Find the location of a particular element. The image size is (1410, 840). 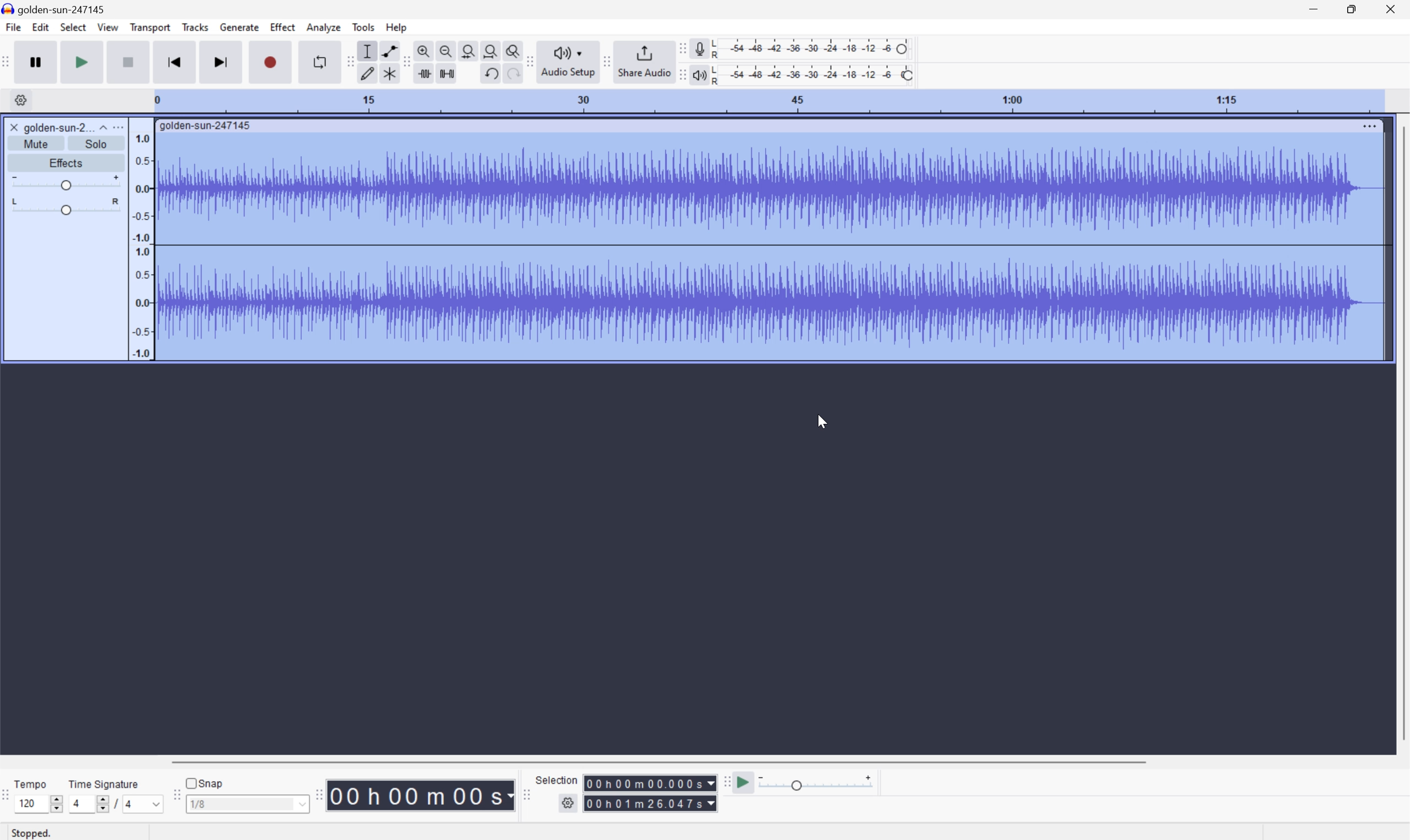

Envelop tool is located at coordinates (387, 50).